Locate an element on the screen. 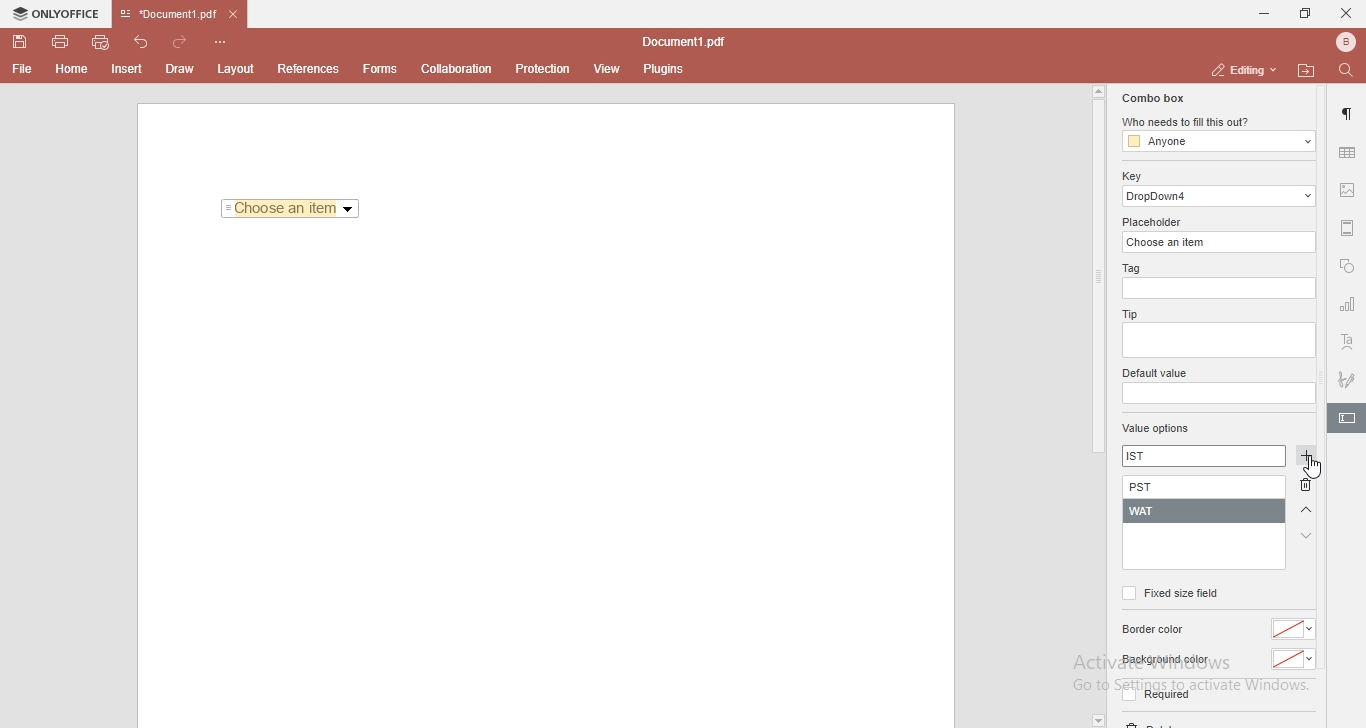 Image resolution: width=1366 pixels, height=728 pixels. undo is located at coordinates (144, 40).